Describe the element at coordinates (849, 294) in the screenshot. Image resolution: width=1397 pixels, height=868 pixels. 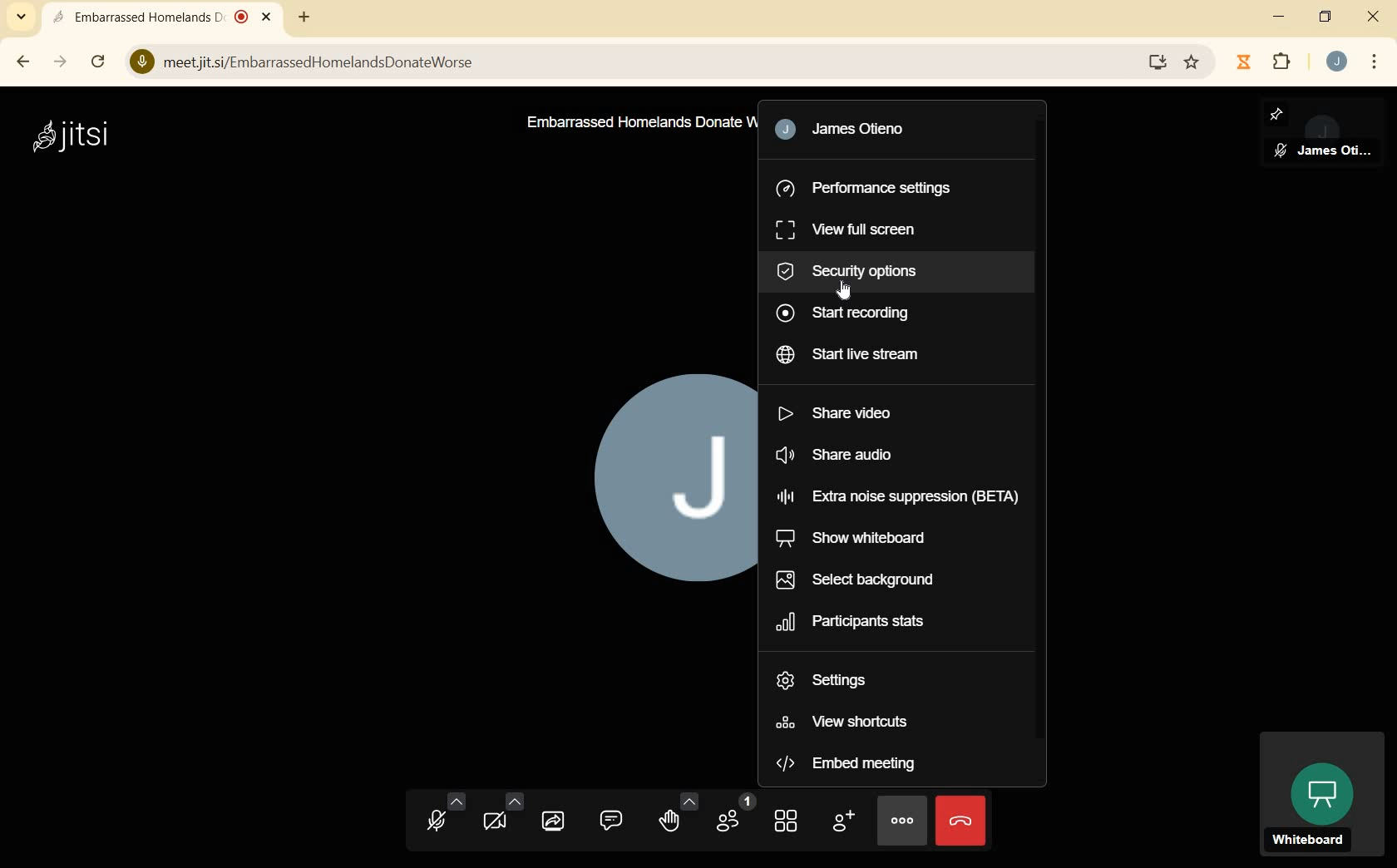
I see `cursor` at that location.